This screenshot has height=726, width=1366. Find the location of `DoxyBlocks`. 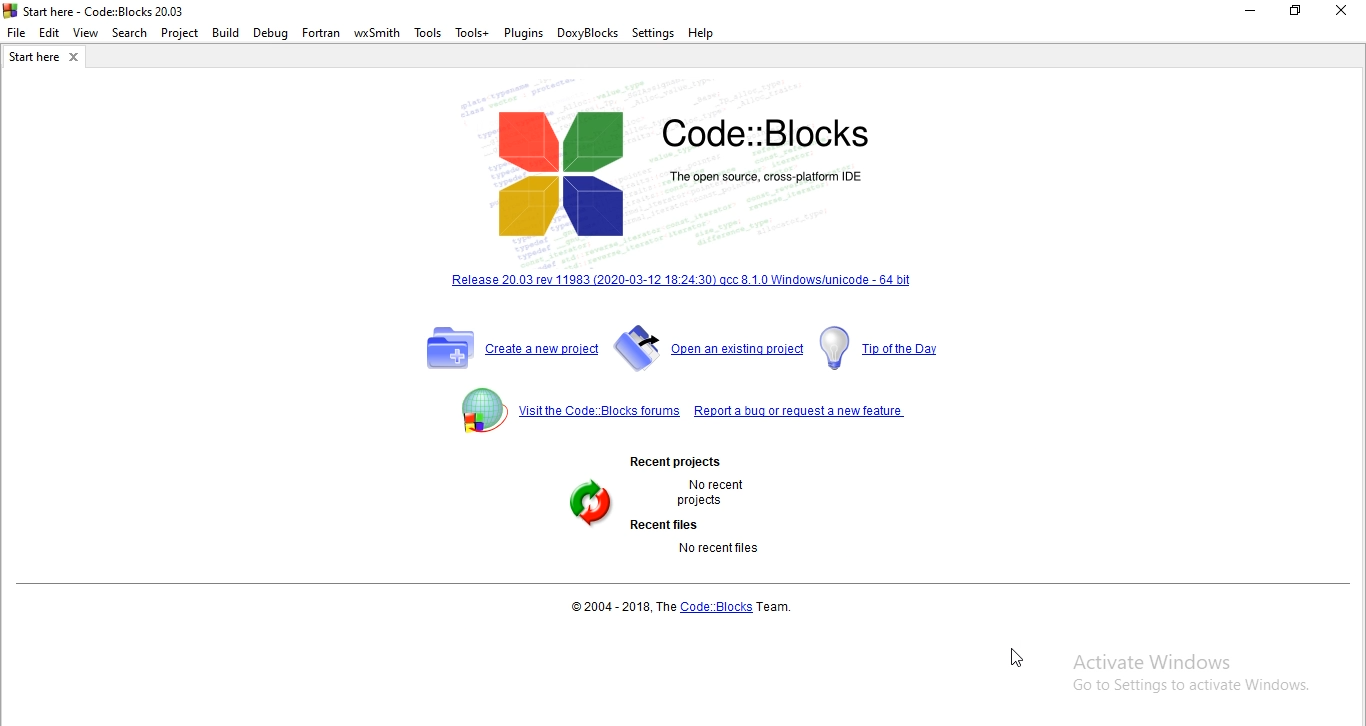

DoxyBlocks is located at coordinates (590, 35).